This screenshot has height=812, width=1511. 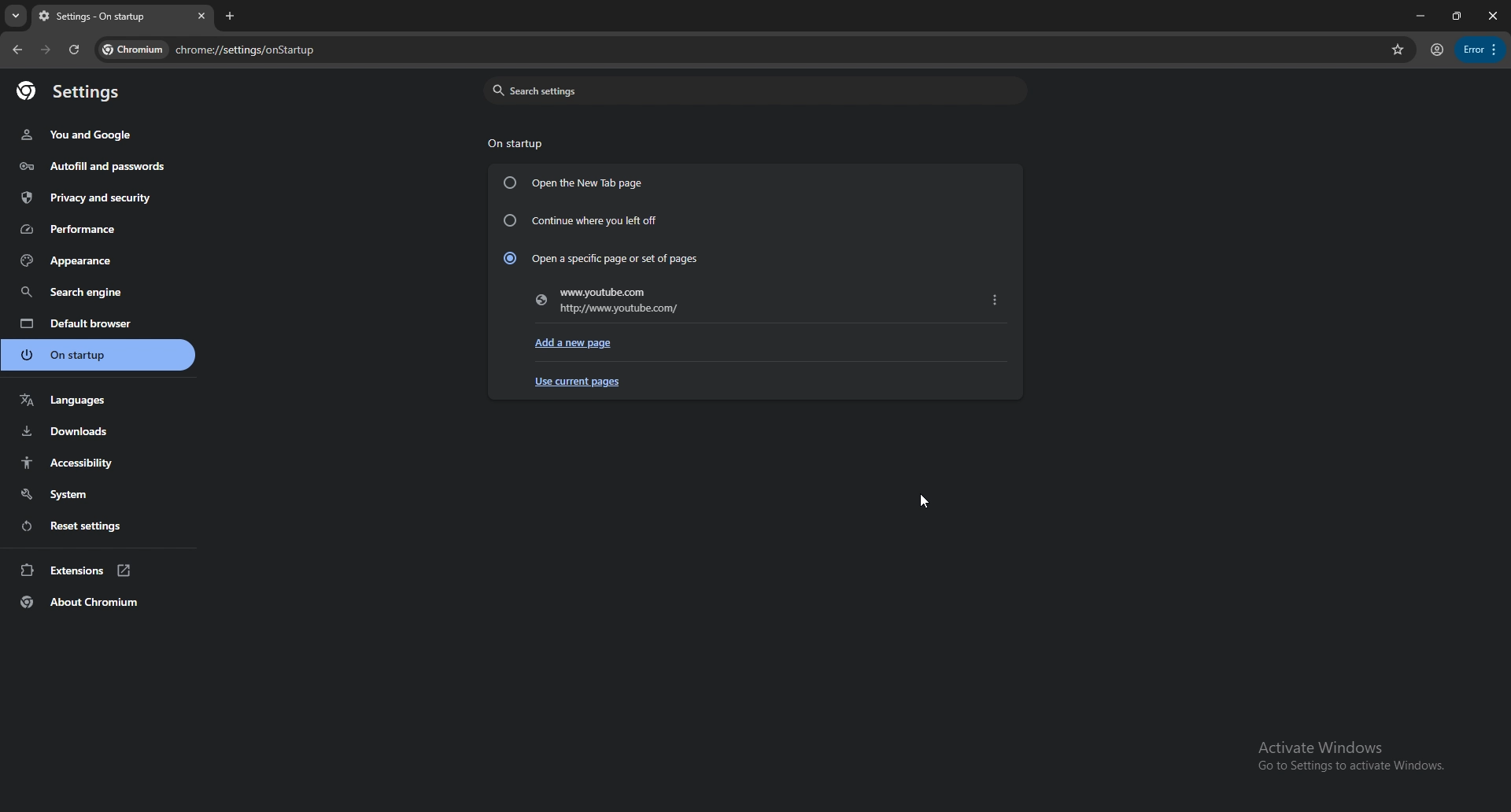 What do you see at coordinates (773, 51) in the screenshot?
I see `search bar` at bounding box center [773, 51].